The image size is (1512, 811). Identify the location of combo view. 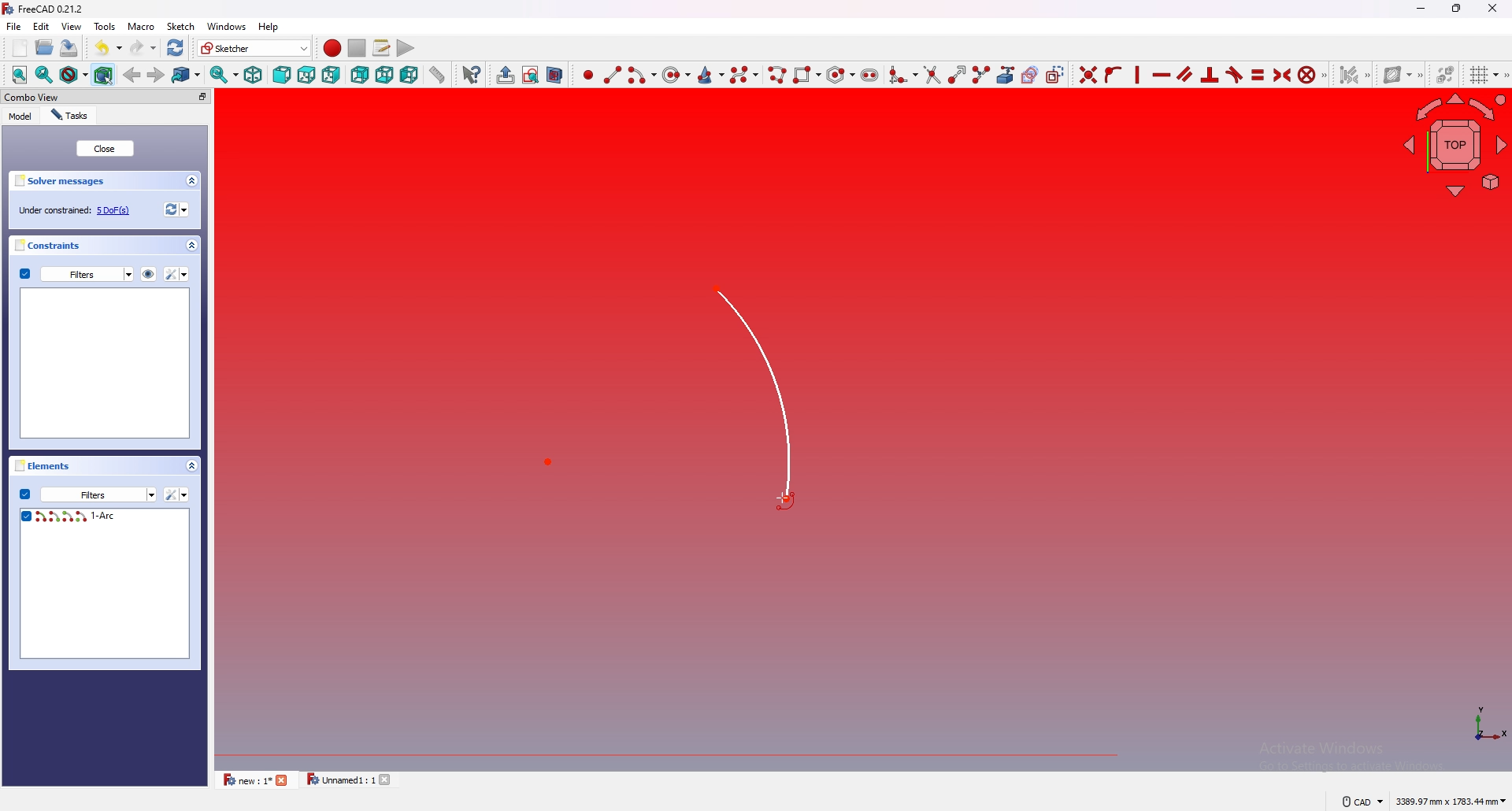
(69, 97).